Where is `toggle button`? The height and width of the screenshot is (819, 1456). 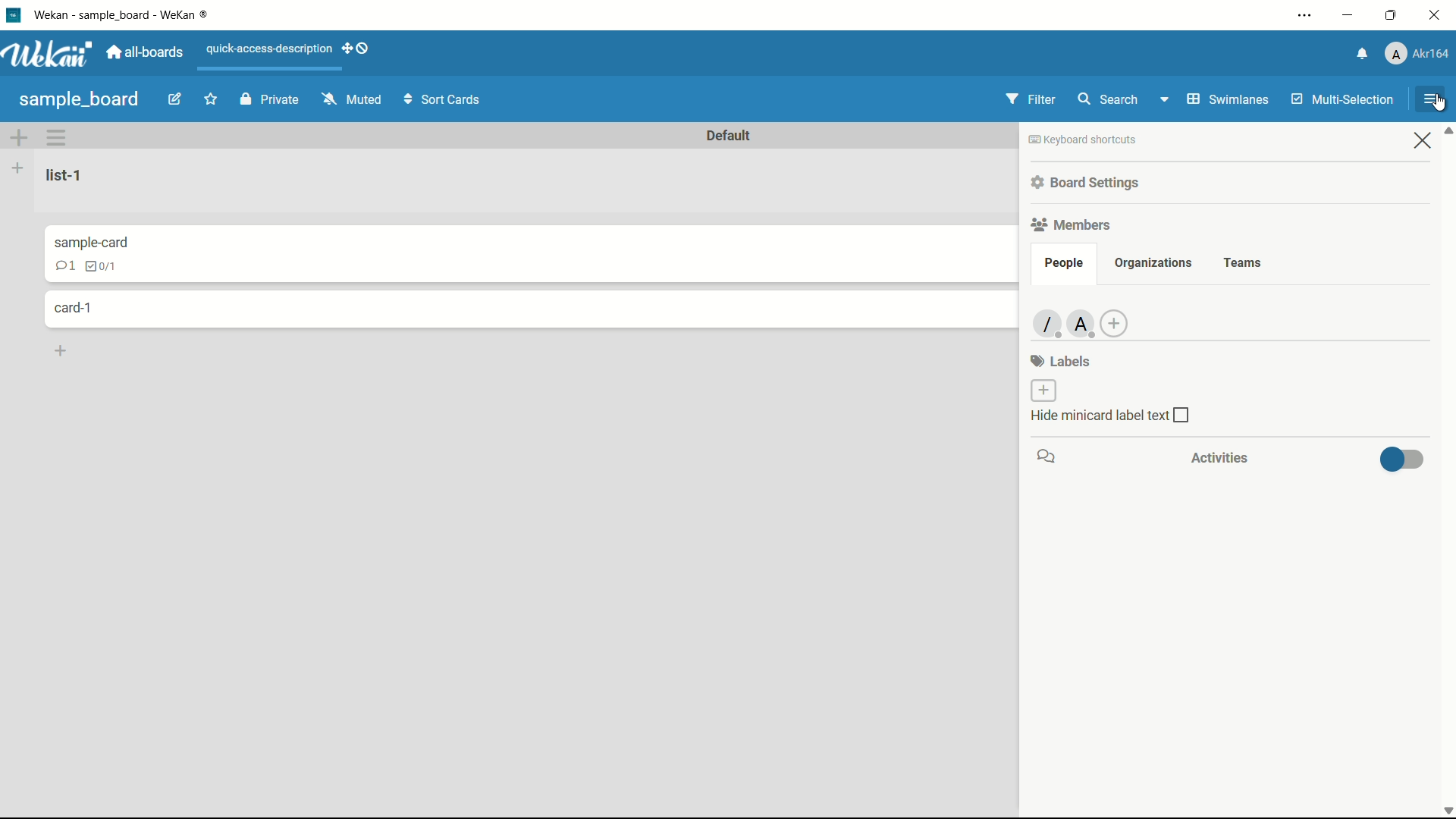
toggle button is located at coordinates (1401, 457).